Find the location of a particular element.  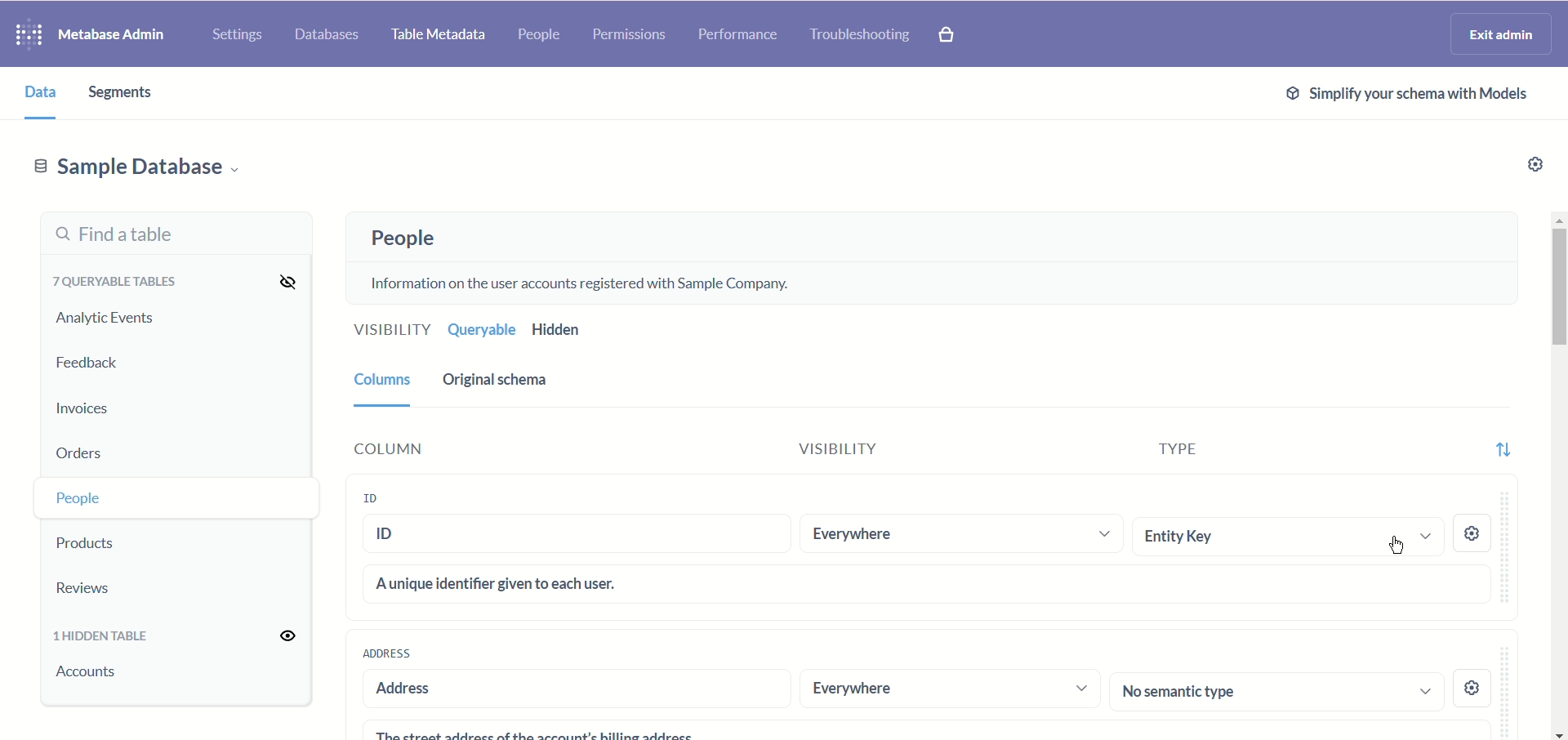

Queryable is located at coordinates (479, 330).